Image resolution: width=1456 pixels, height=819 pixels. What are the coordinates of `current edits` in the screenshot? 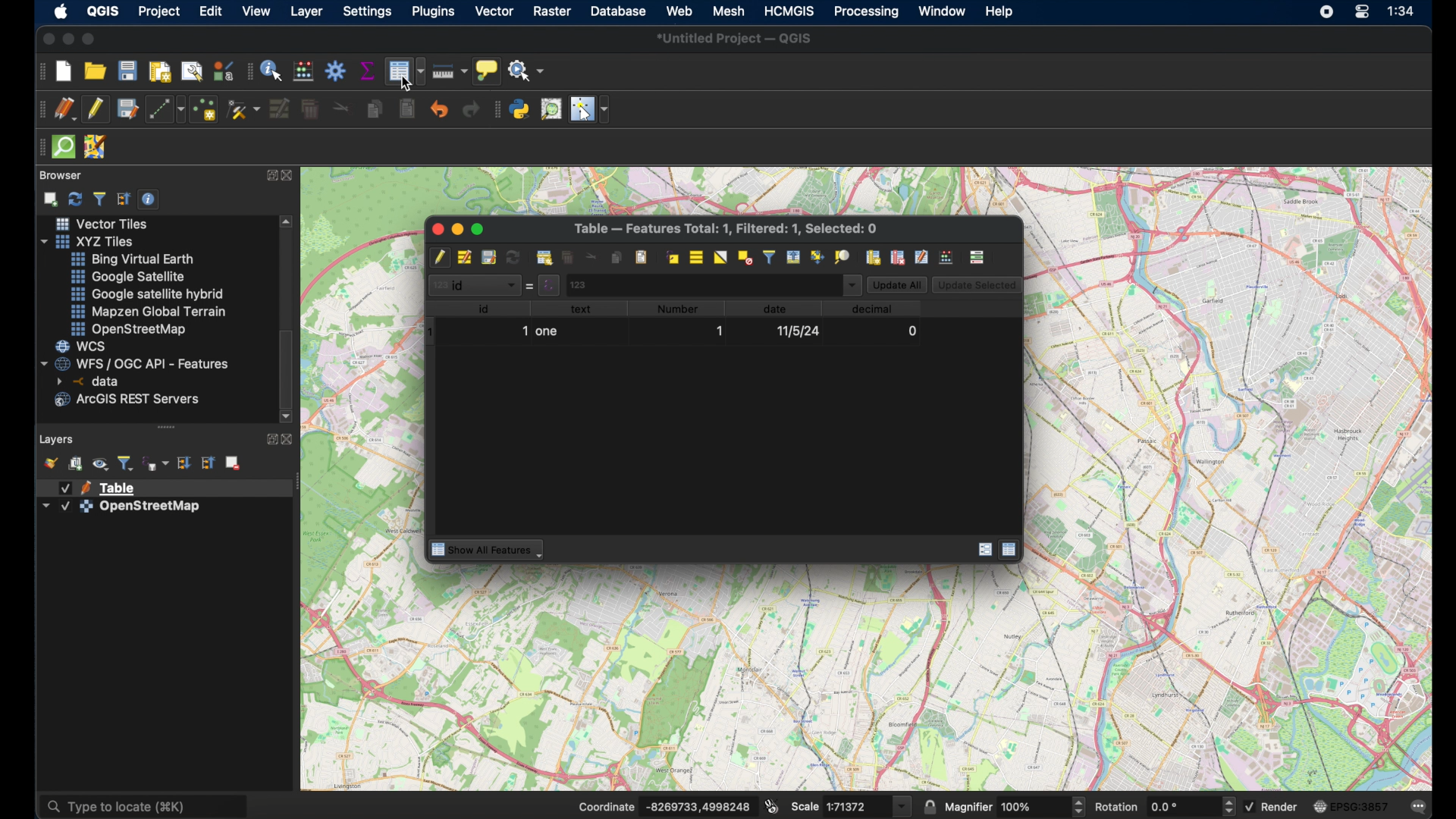 It's located at (63, 109).